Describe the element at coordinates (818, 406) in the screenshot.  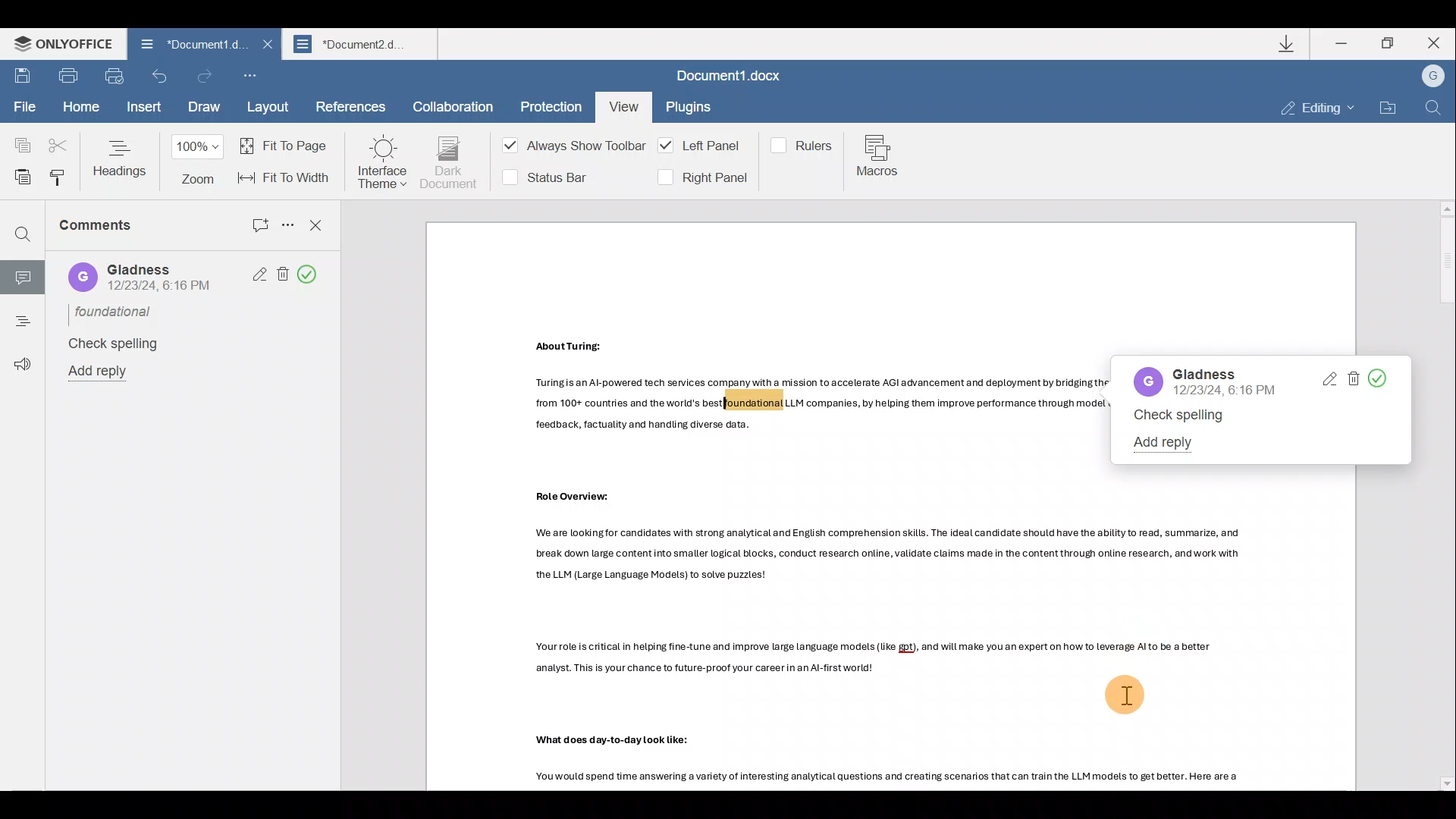
I see `` at that location.